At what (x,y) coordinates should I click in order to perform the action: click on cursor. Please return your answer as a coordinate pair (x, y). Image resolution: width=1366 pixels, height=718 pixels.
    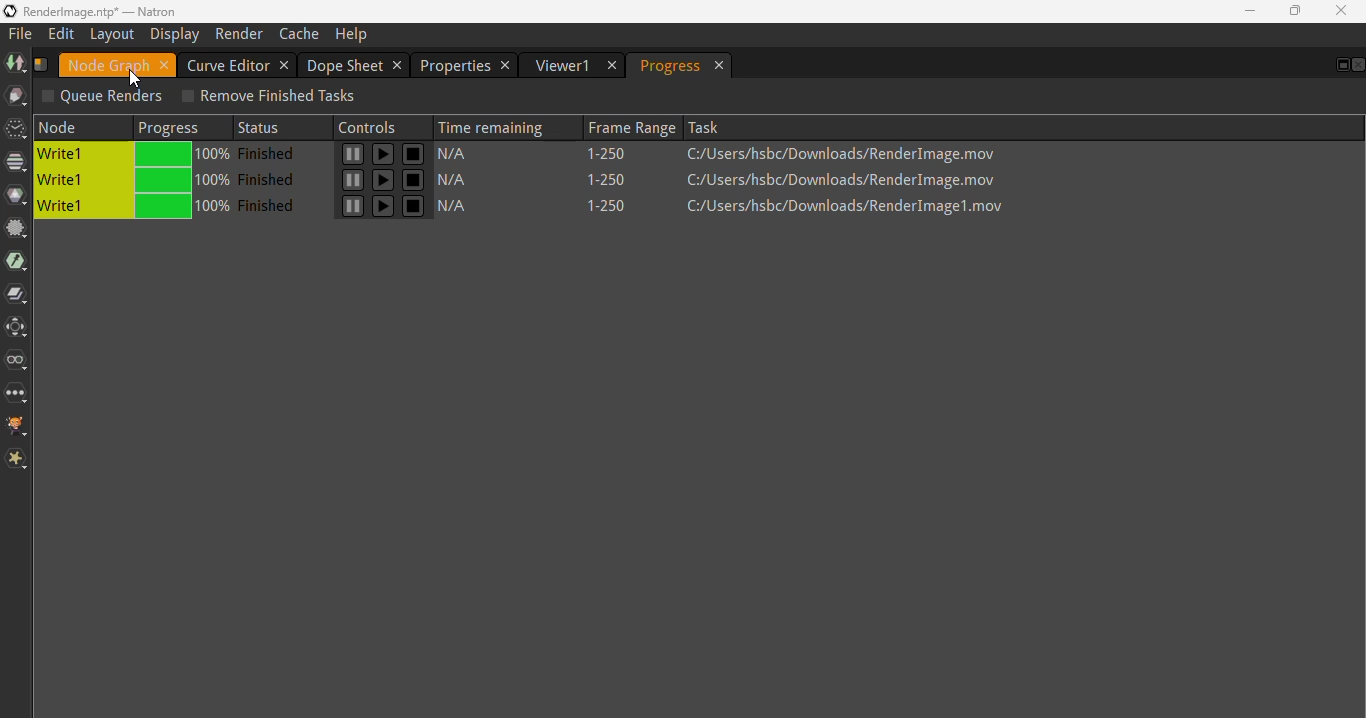
    Looking at the image, I should click on (136, 79).